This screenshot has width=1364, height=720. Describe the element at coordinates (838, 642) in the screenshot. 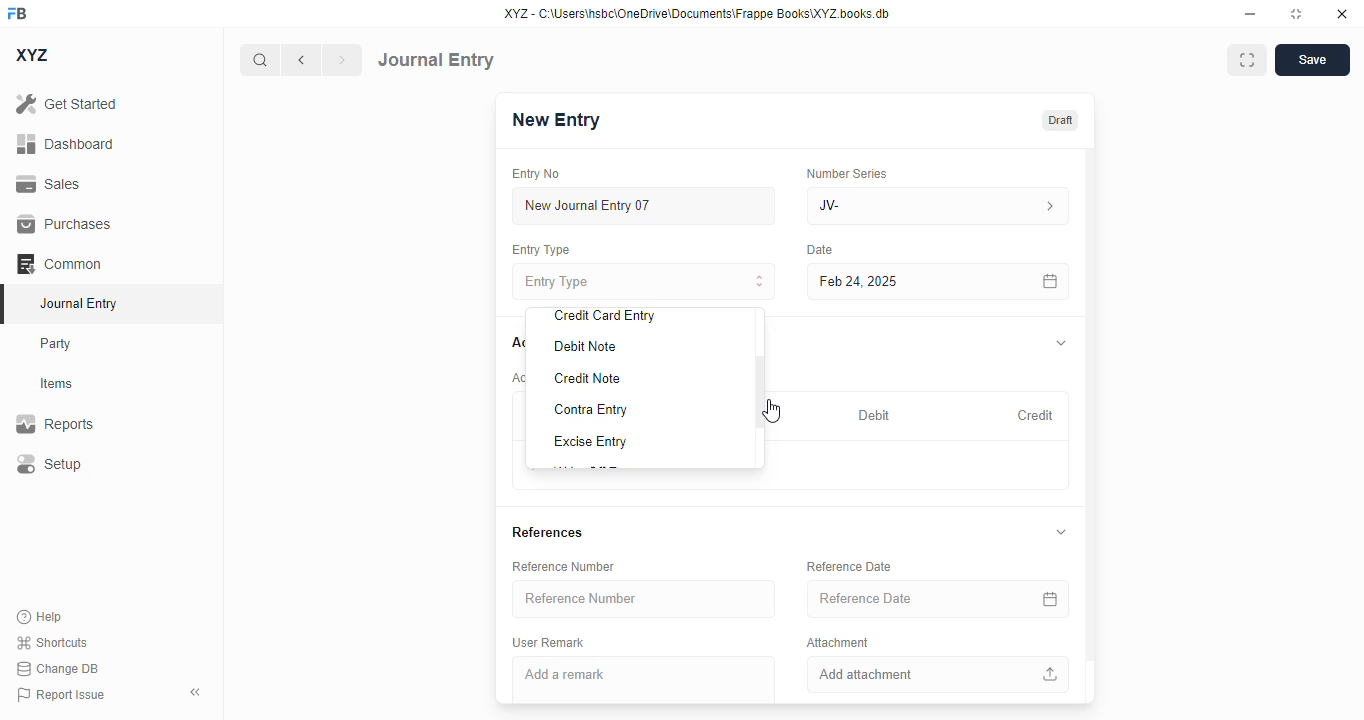

I see `attachment` at that location.